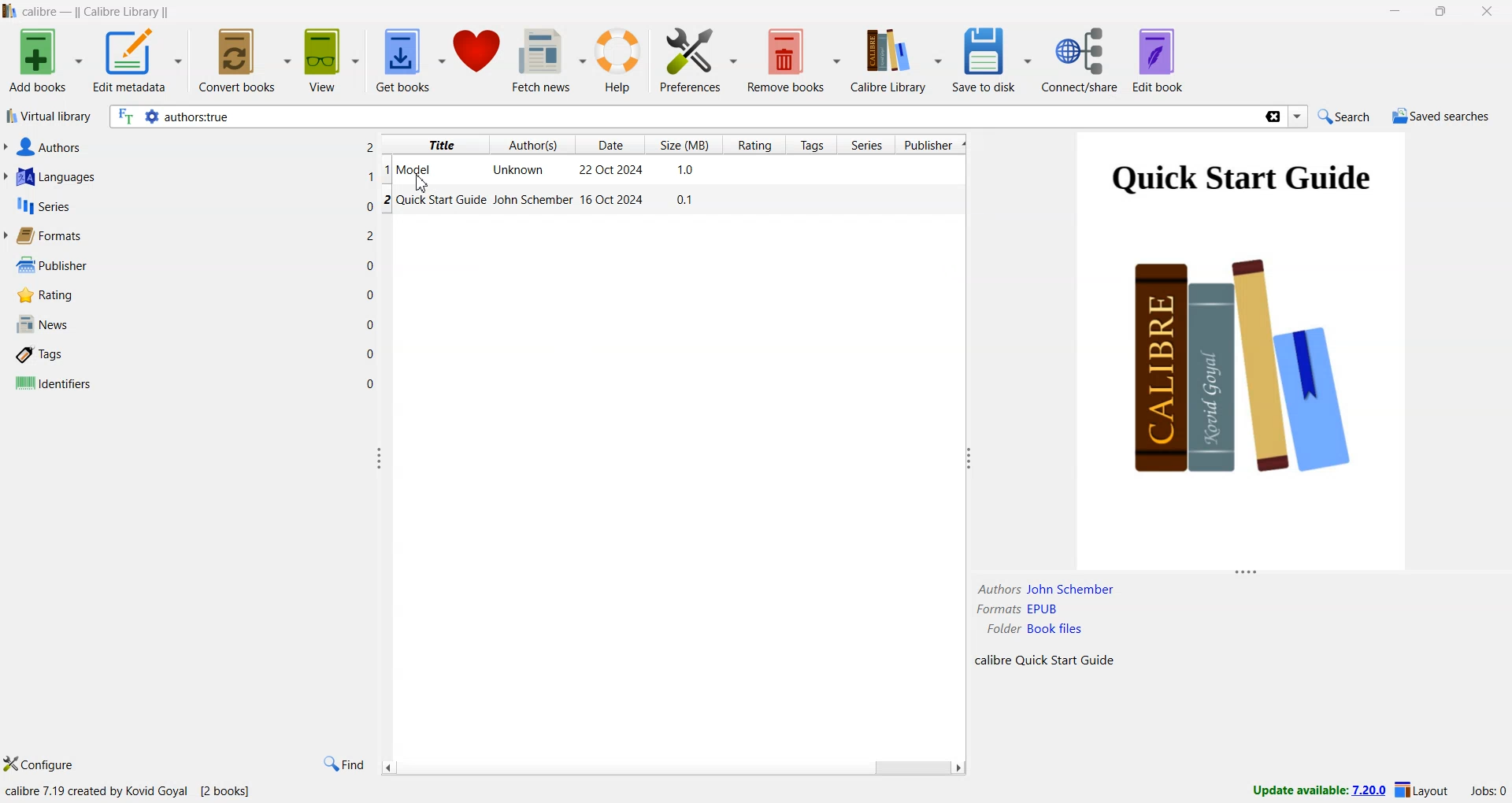  What do you see at coordinates (1019, 609) in the screenshot?
I see `format` at bounding box center [1019, 609].